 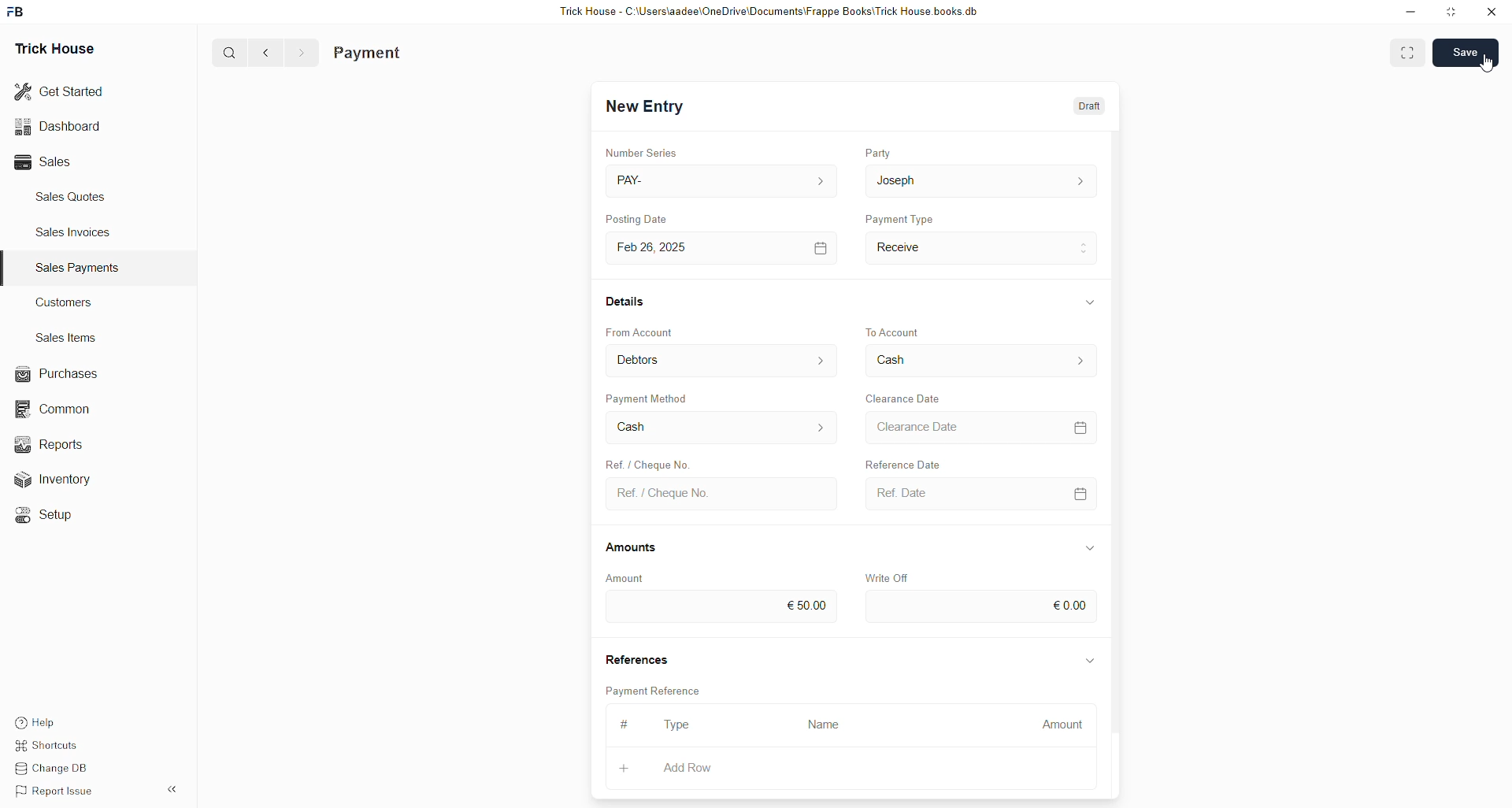 I want to click on Party, so click(x=878, y=152).